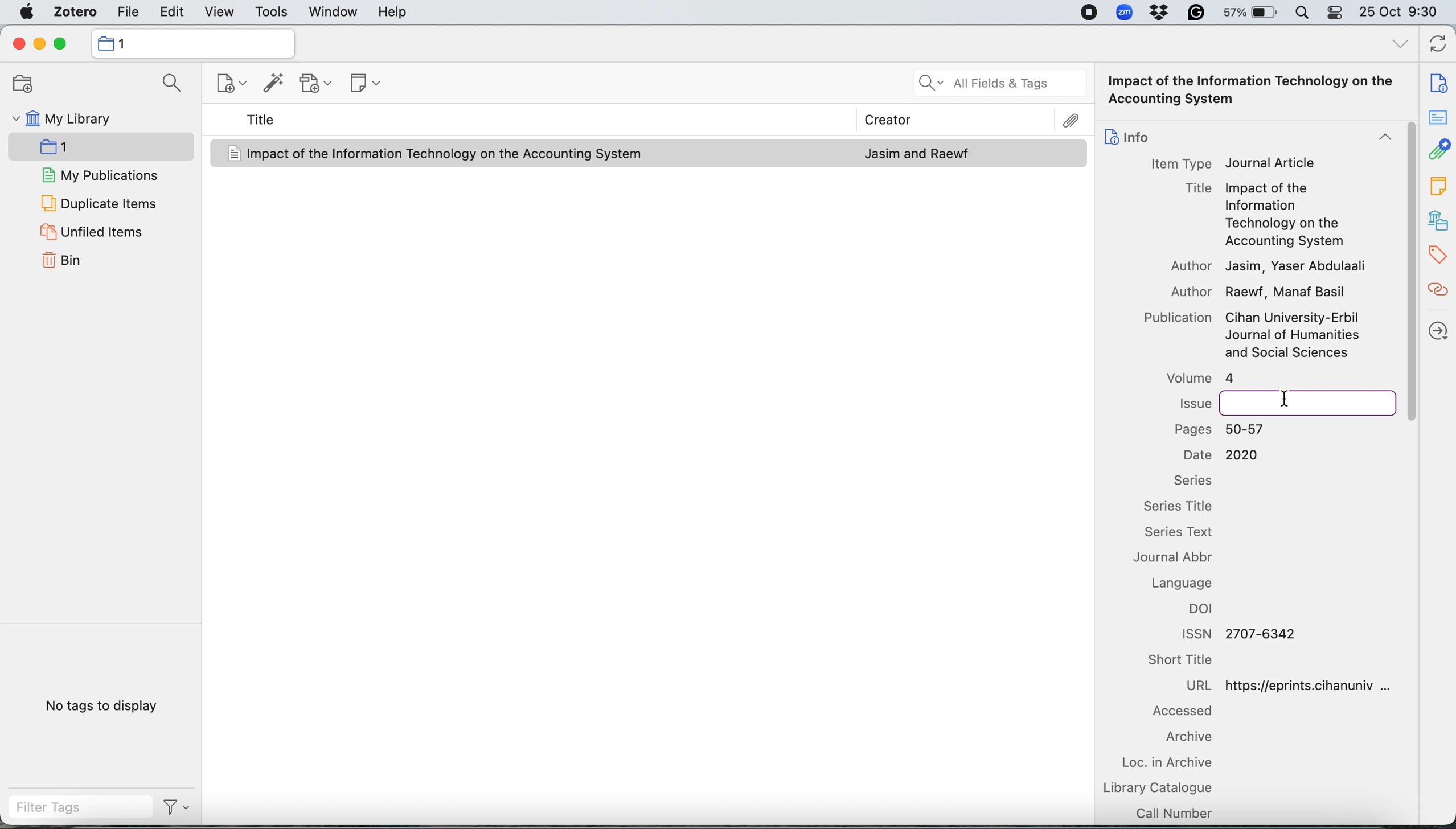 This screenshot has width=1456, height=829. What do you see at coordinates (99, 231) in the screenshot?
I see `unfiled items` at bounding box center [99, 231].